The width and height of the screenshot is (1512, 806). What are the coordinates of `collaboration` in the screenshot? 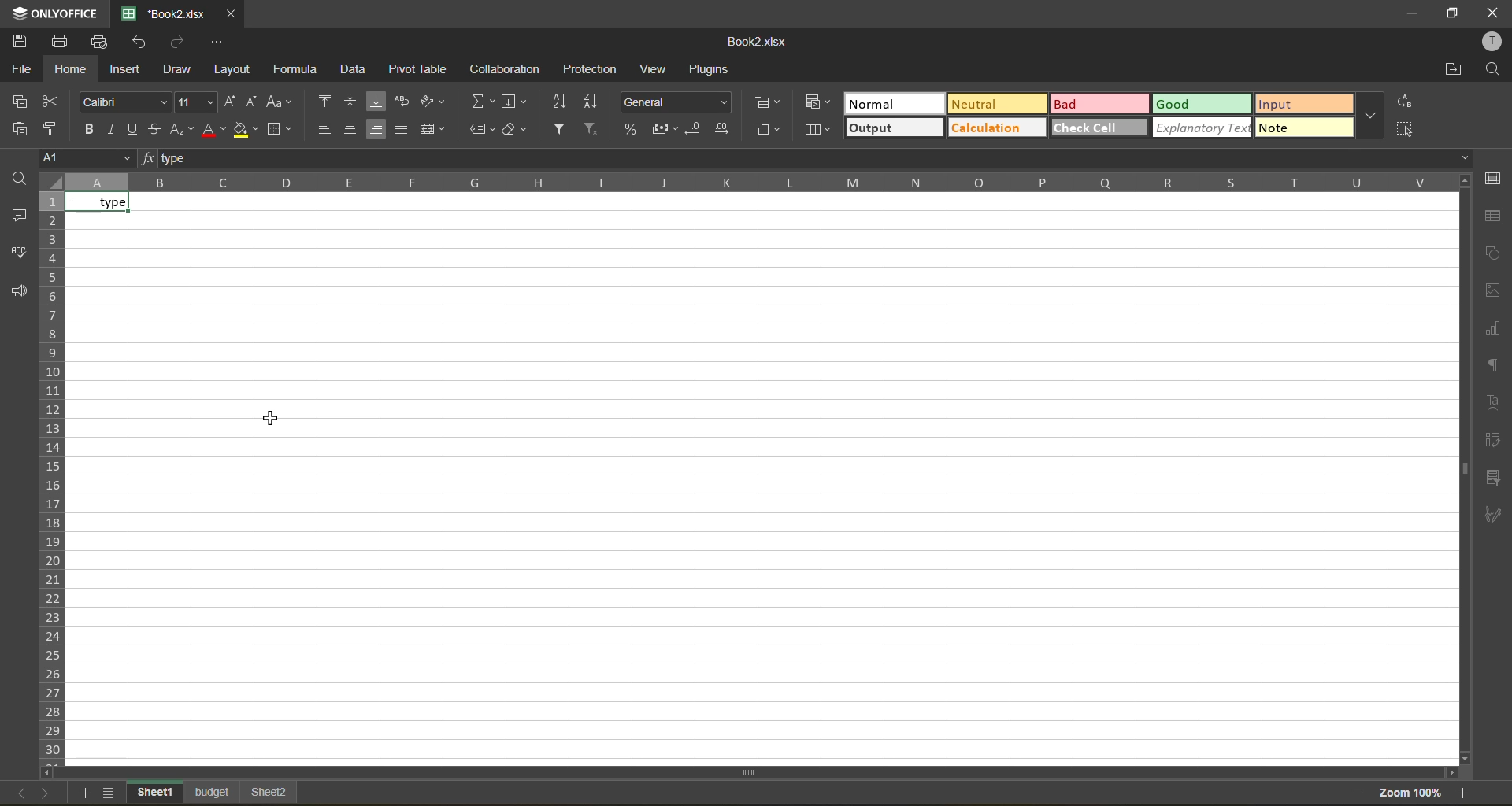 It's located at (510, 68).